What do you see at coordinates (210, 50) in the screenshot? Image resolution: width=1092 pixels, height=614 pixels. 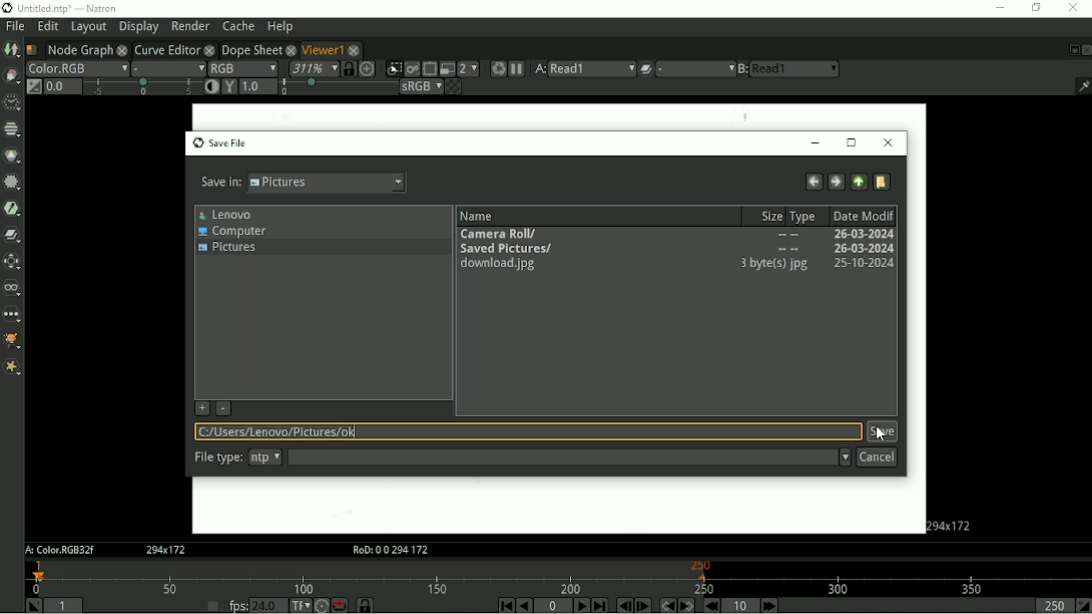 I see `close` at bounding box center [210, 50].